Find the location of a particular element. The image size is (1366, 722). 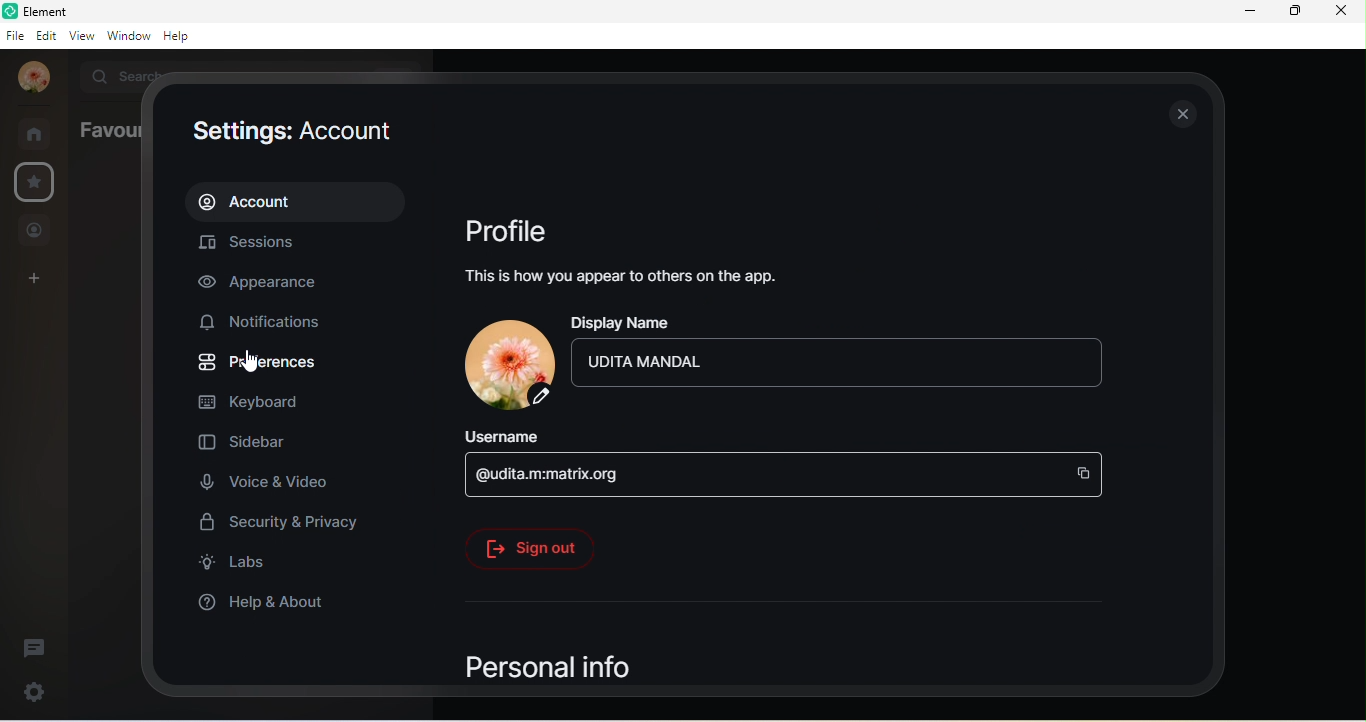

personal info is located at coordinates (554, 668).